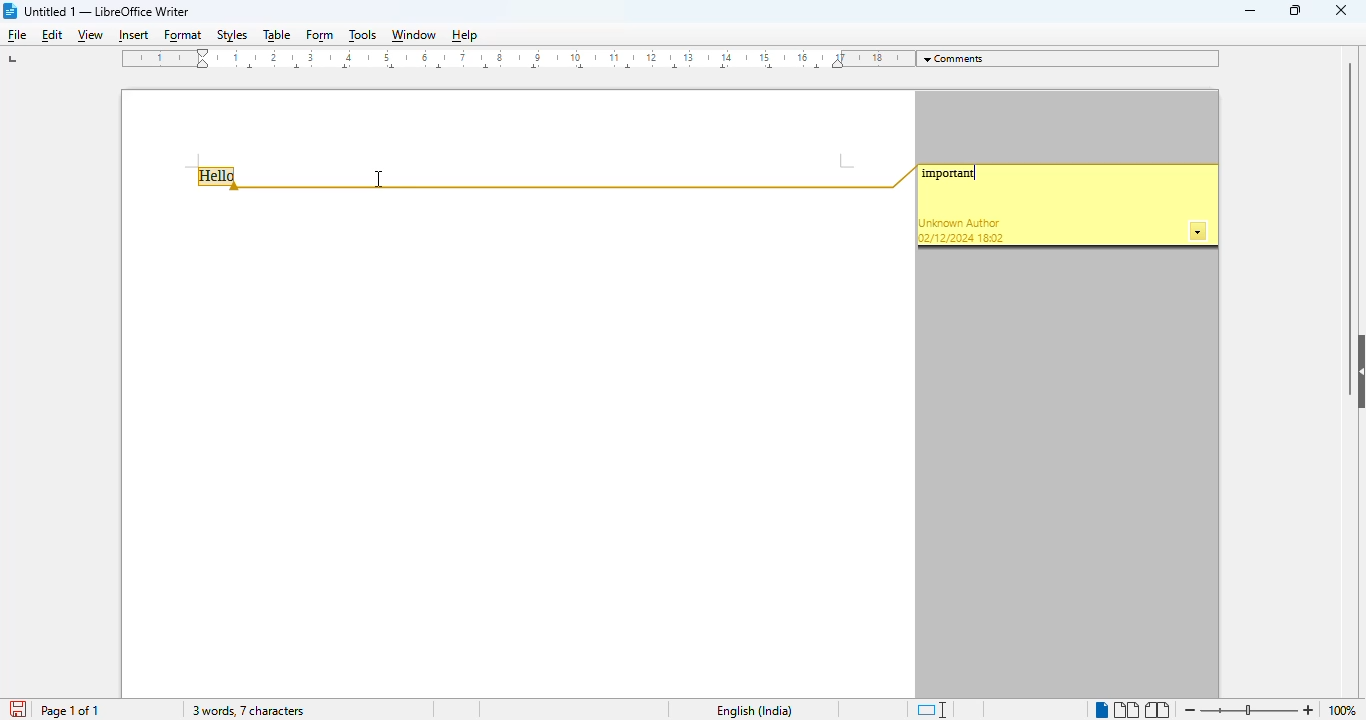  What do you see at coordinates (1357, 372) in the screenshot?
I see `show` at bounding box center [1357, 372].